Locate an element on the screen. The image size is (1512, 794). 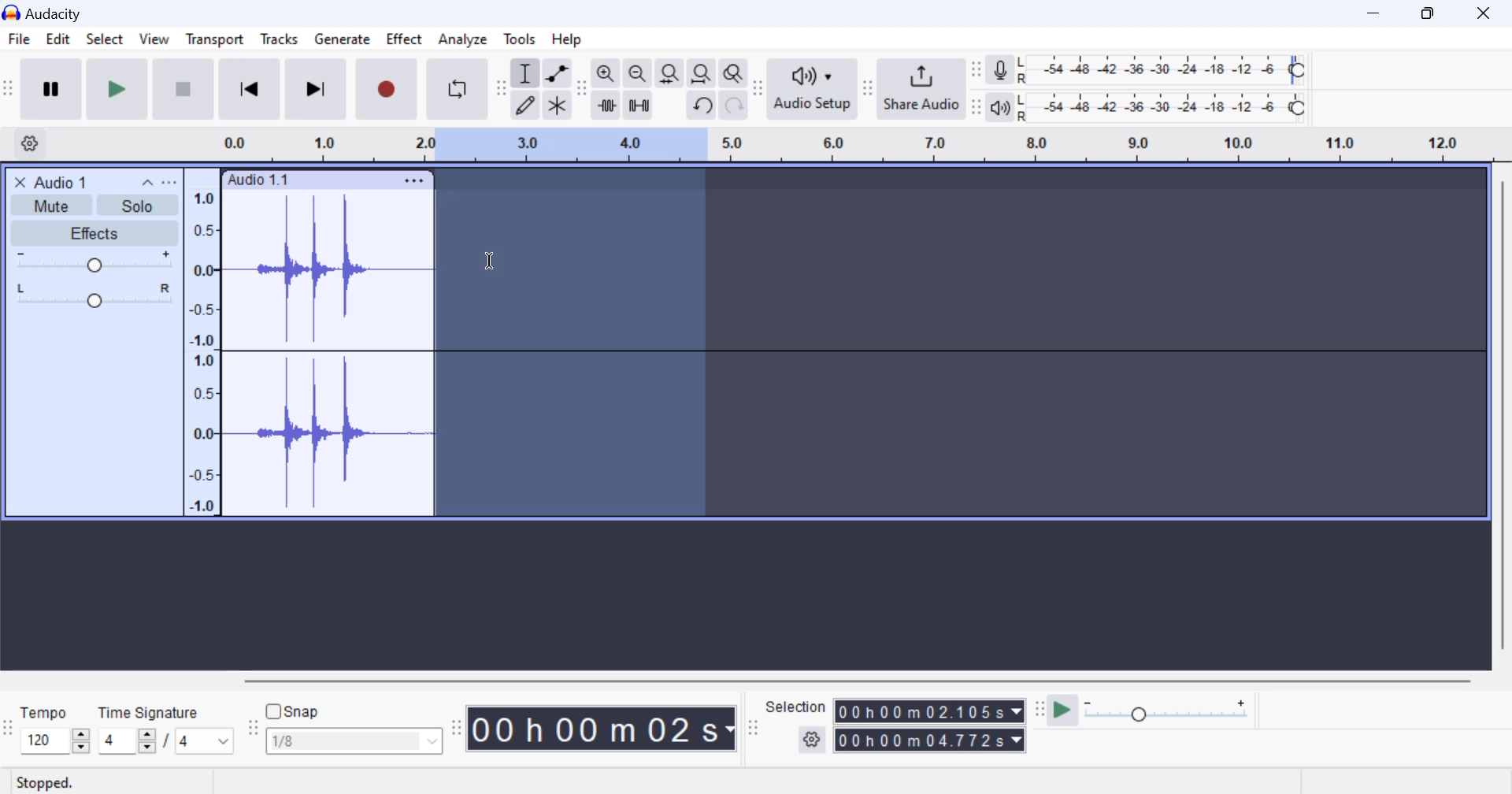
Edit is located at coordinates (57, 42).